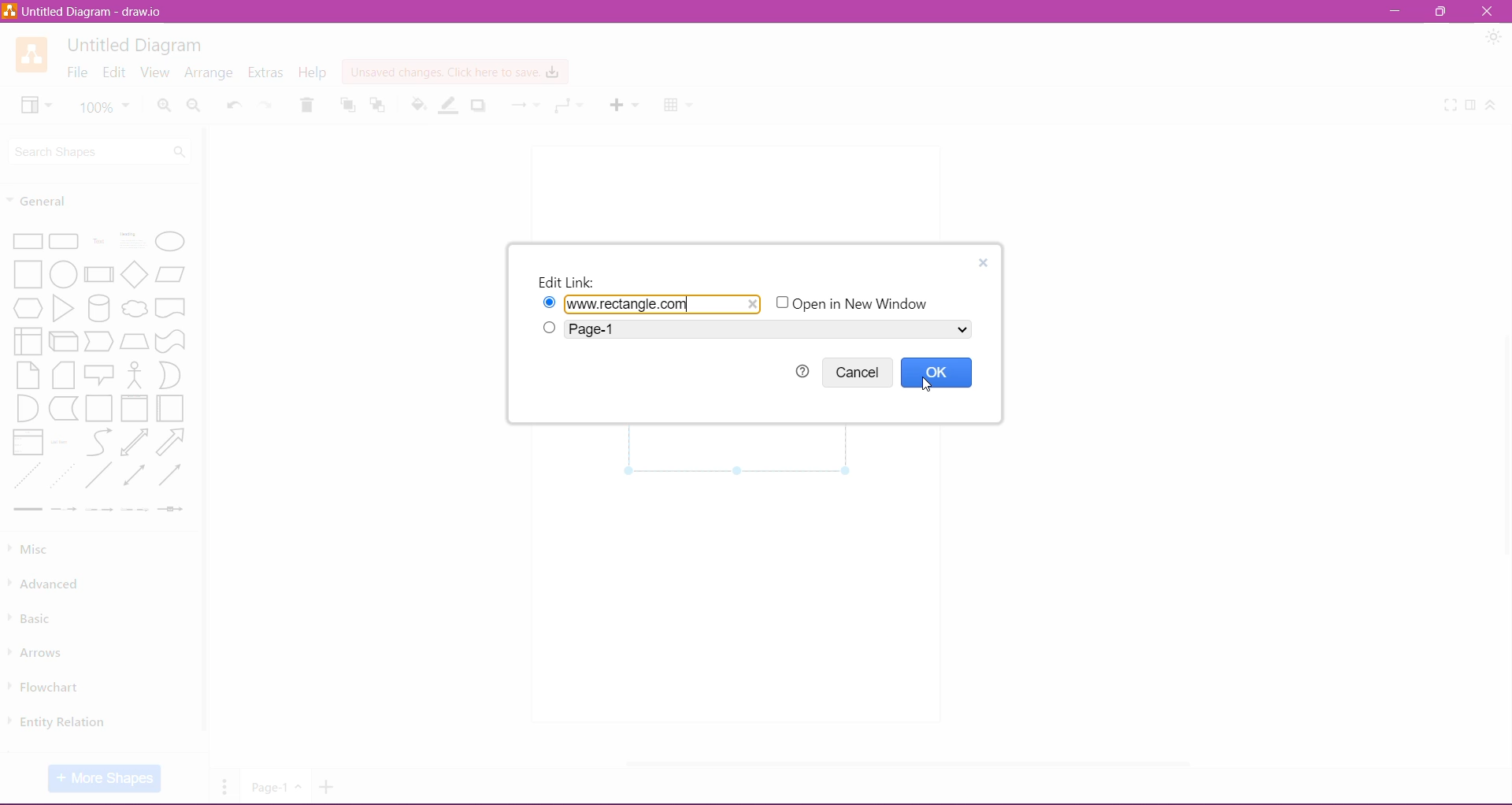  What do you see at coordinates (569, 281) in the screenshot?
I see `Edit Link` at bounding box center [569, 281].